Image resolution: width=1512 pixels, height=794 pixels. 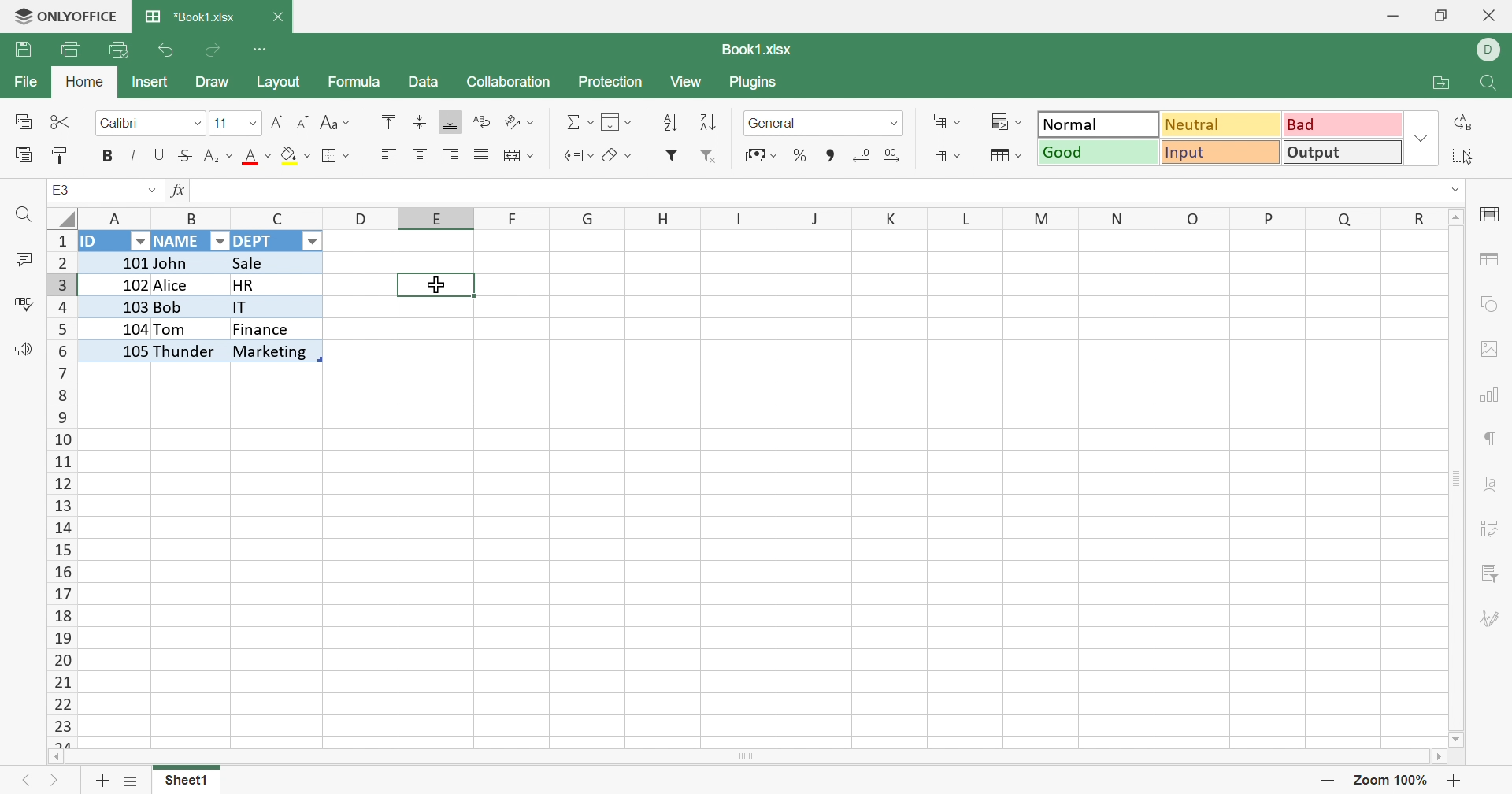 I want to click on Align Left, so click(x=388, y=157).